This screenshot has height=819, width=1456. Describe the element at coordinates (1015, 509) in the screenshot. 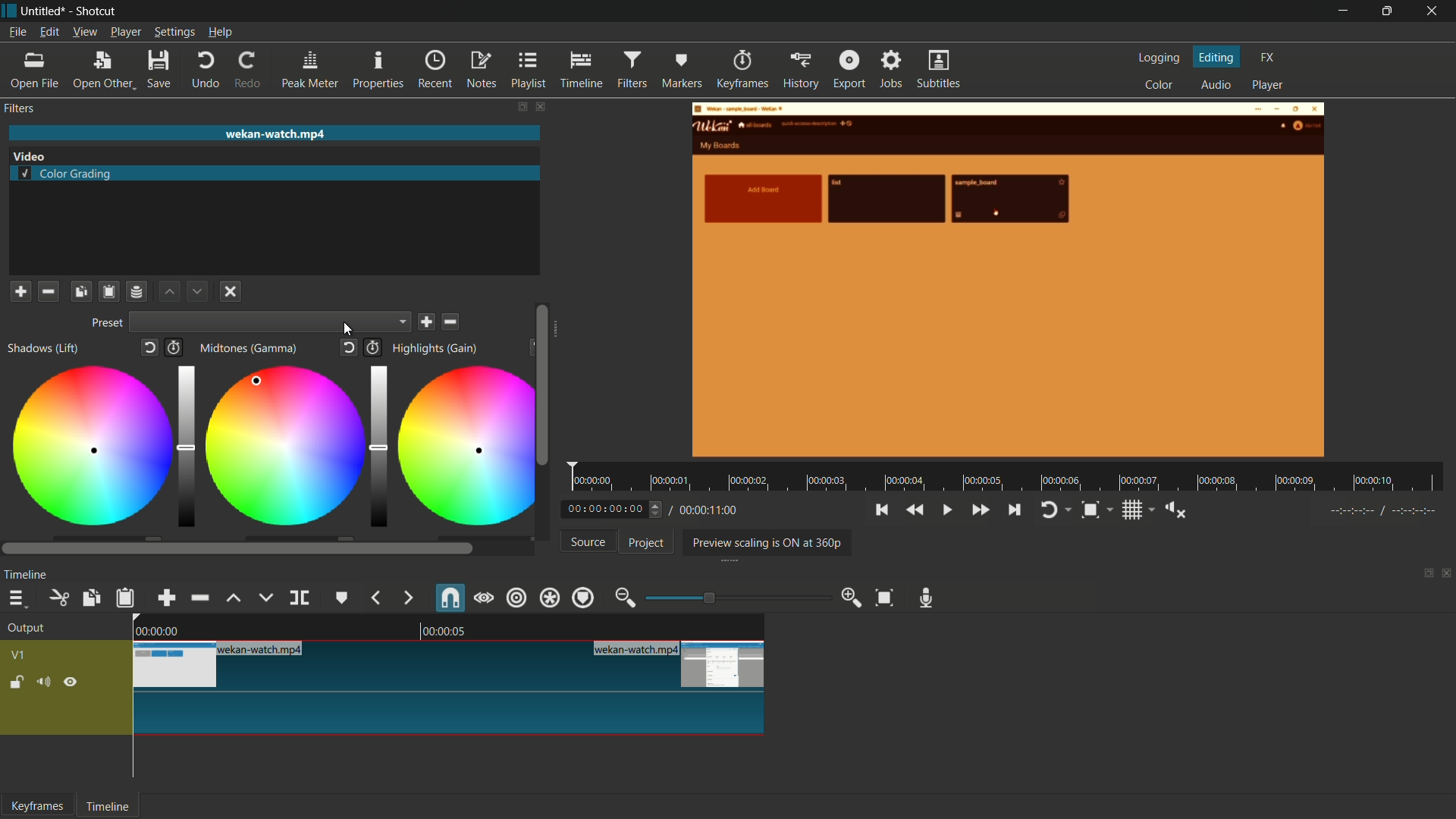

I see `skip to the next point` at that location.